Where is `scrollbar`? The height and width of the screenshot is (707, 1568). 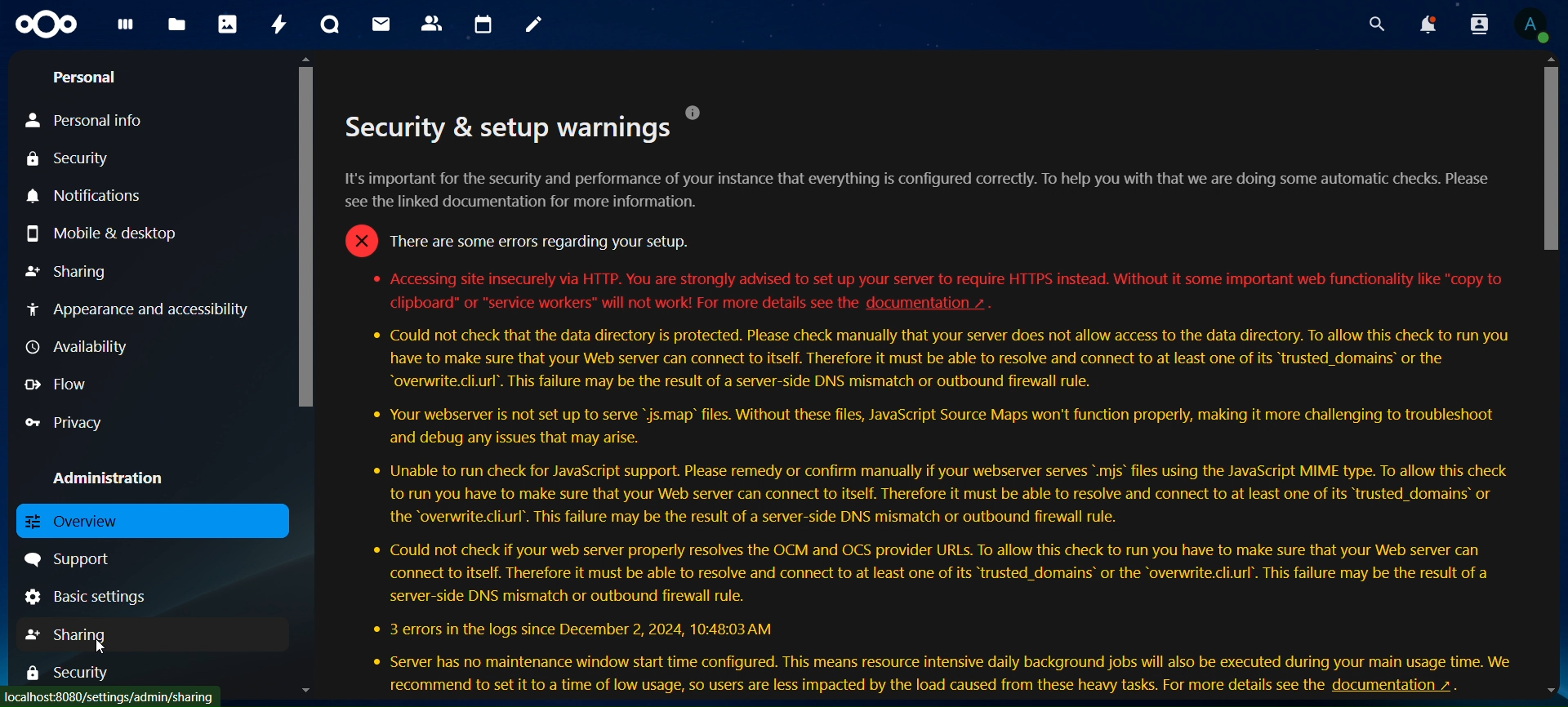
scrollbar is located at coordinates (1552, 155).